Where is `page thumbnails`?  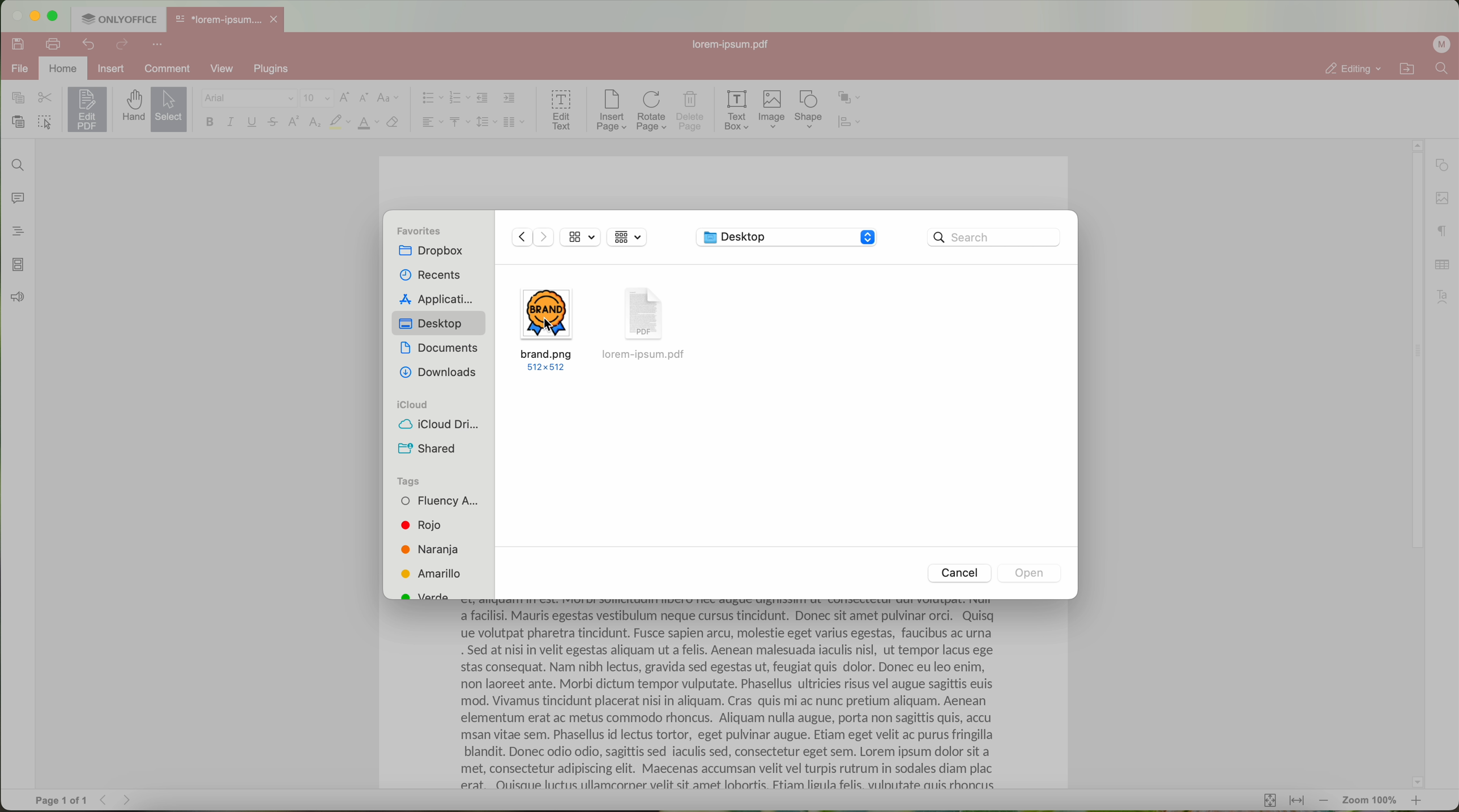 page thumbnails is located at coordinates (17, 264).